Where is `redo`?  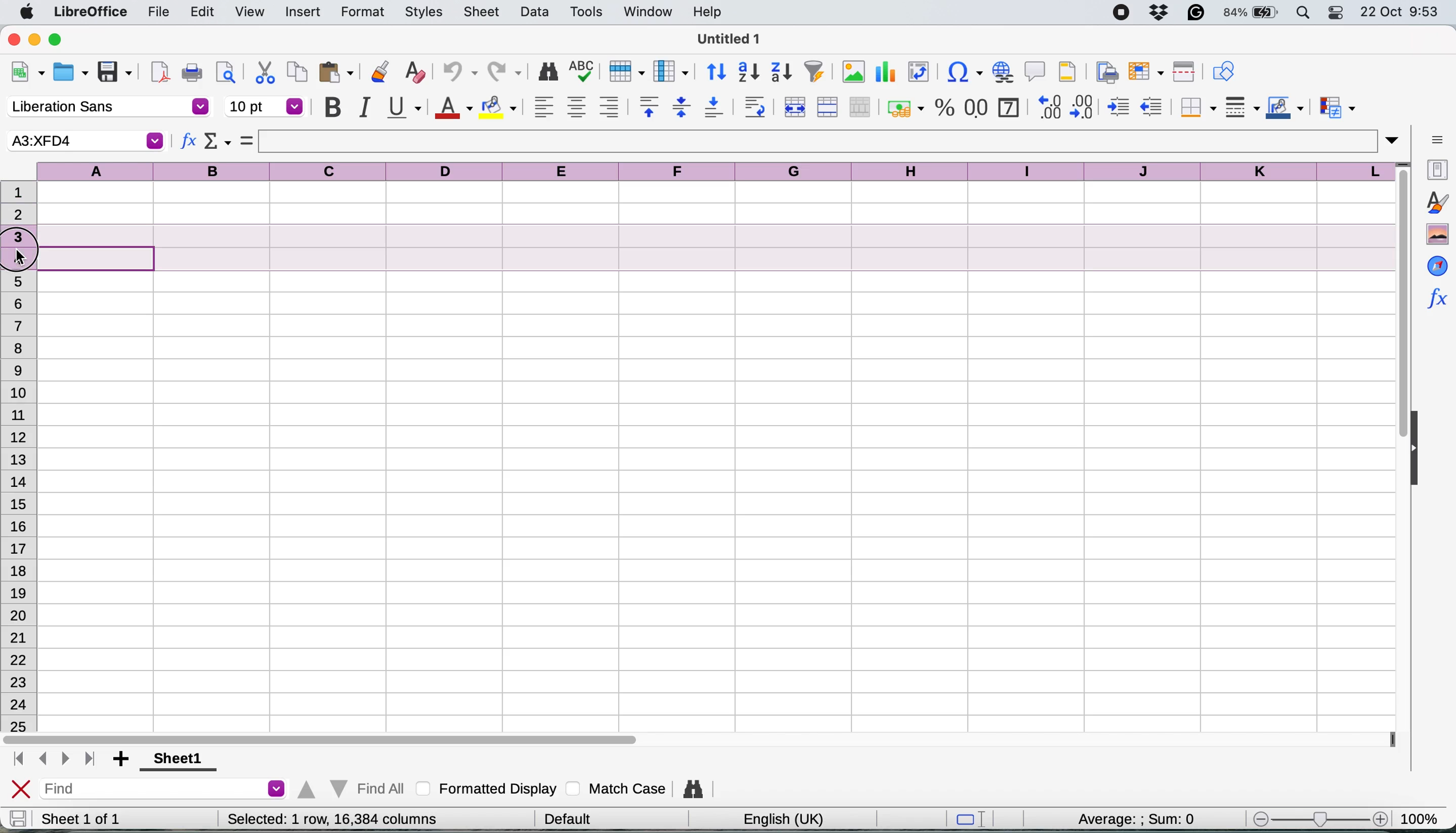
redo is located at coordinates (506, 73).